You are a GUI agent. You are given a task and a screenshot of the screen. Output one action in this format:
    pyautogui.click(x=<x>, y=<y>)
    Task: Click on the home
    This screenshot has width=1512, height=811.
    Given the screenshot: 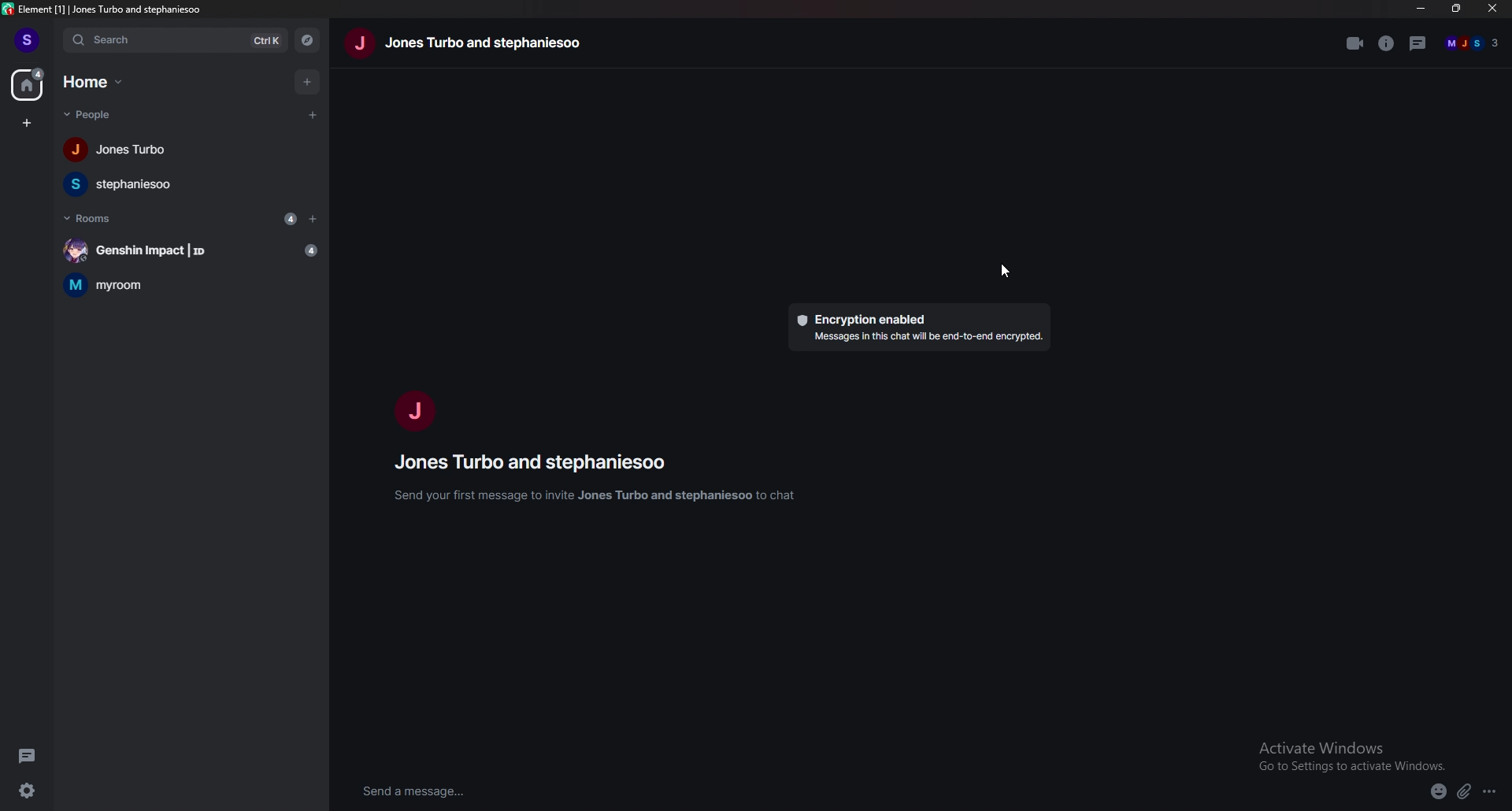 What is the action you would take?
    pyautogui.click(x=28, y=84)
    